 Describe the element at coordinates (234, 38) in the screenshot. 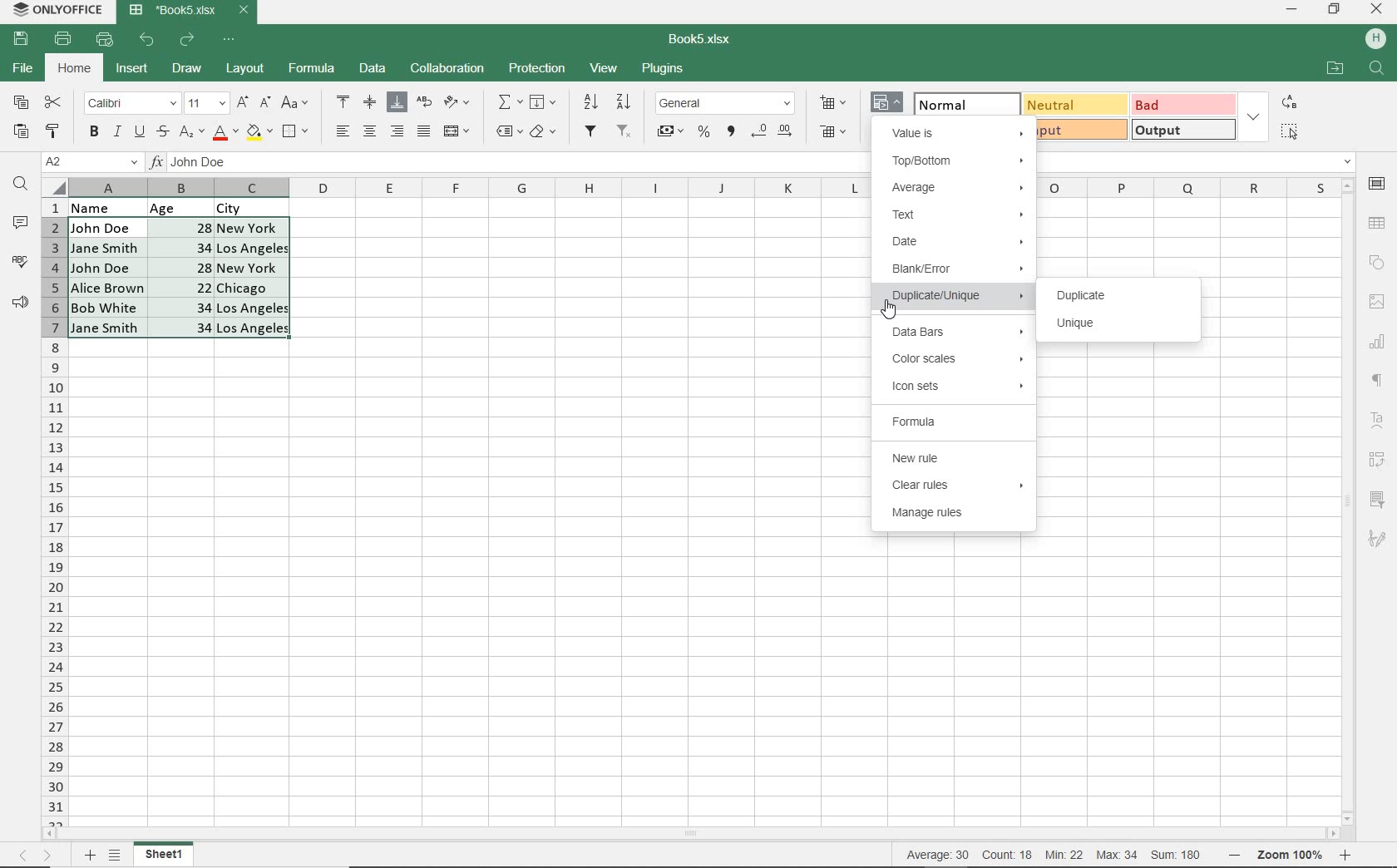

I see `CUSTOMIZE QUICK ACCESS TOOLBAR` at that location.